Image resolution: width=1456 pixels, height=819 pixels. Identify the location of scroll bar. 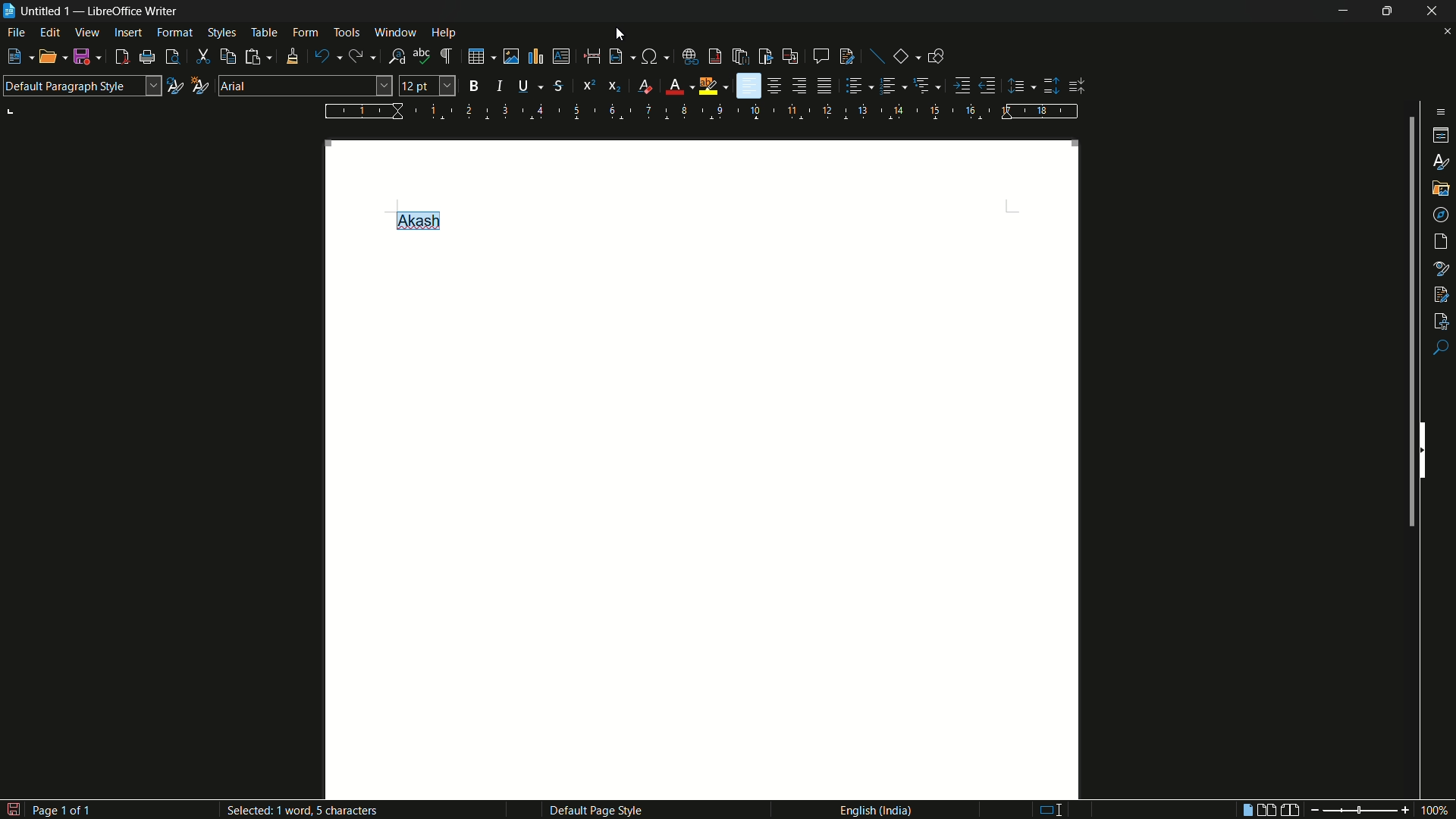
(1407, 325).